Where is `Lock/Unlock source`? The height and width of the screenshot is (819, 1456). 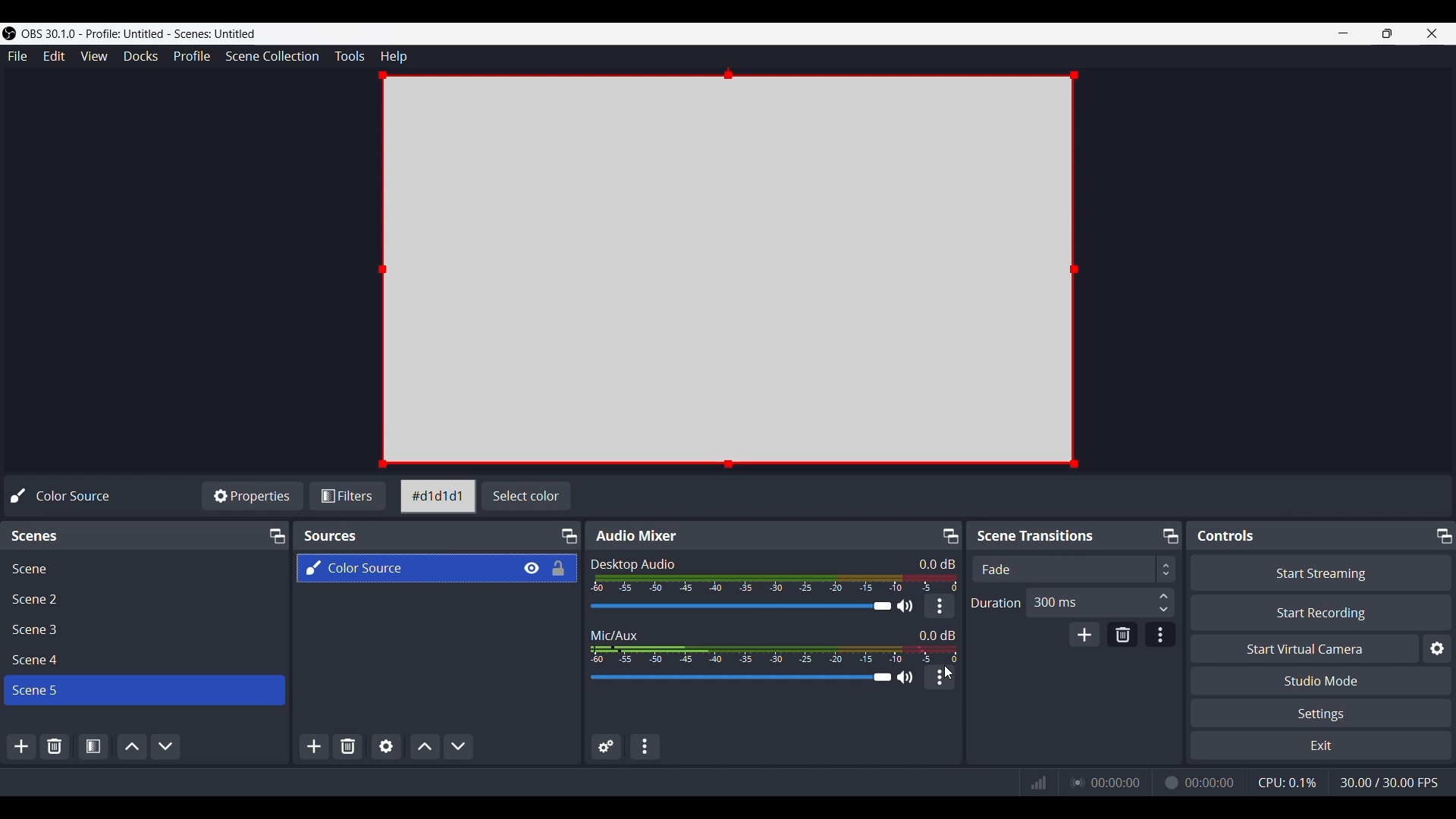
Lock/Unlock source is located at coordinates (559, 568).